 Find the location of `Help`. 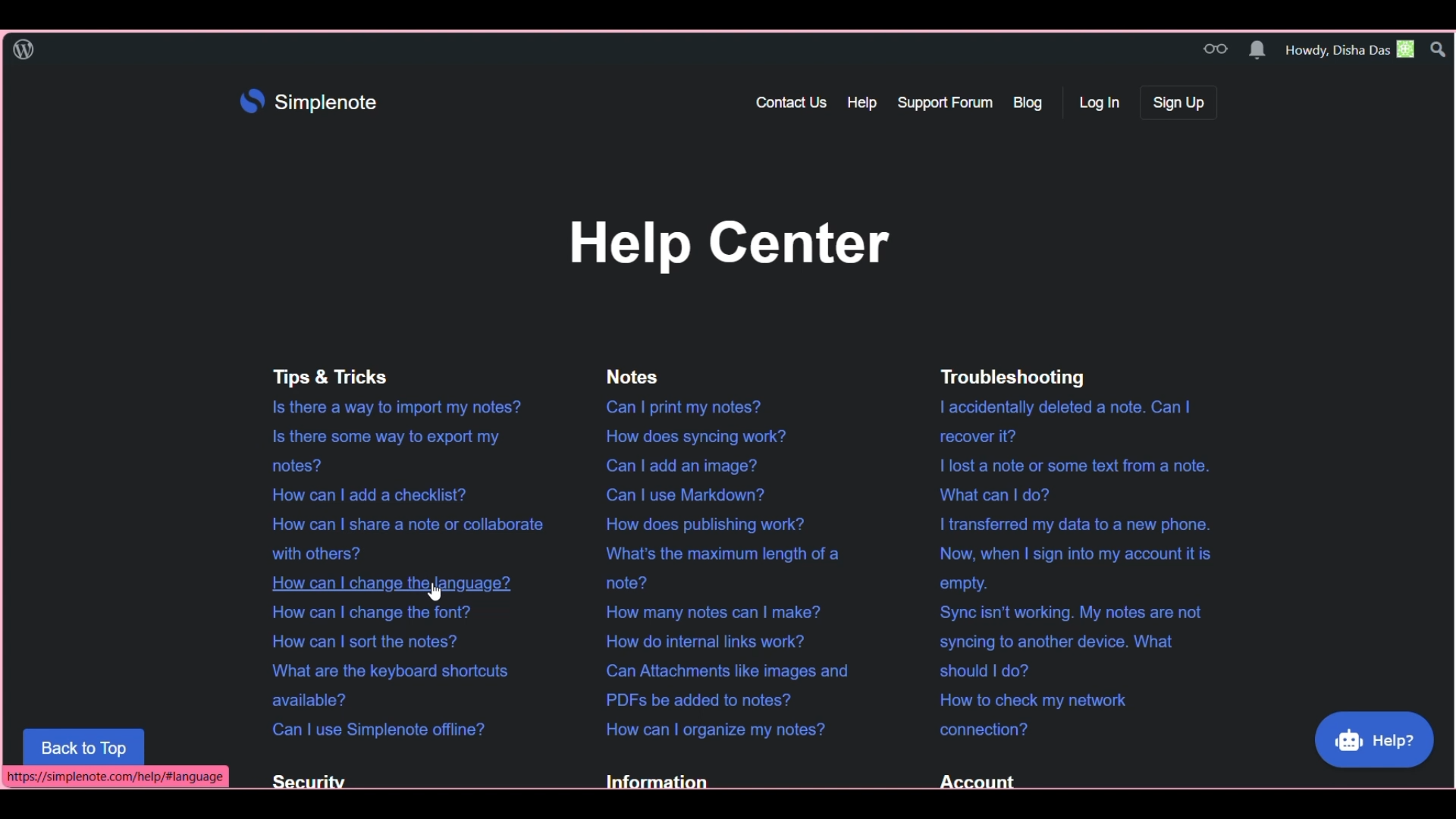

Help is located at coordinates (864, 102).